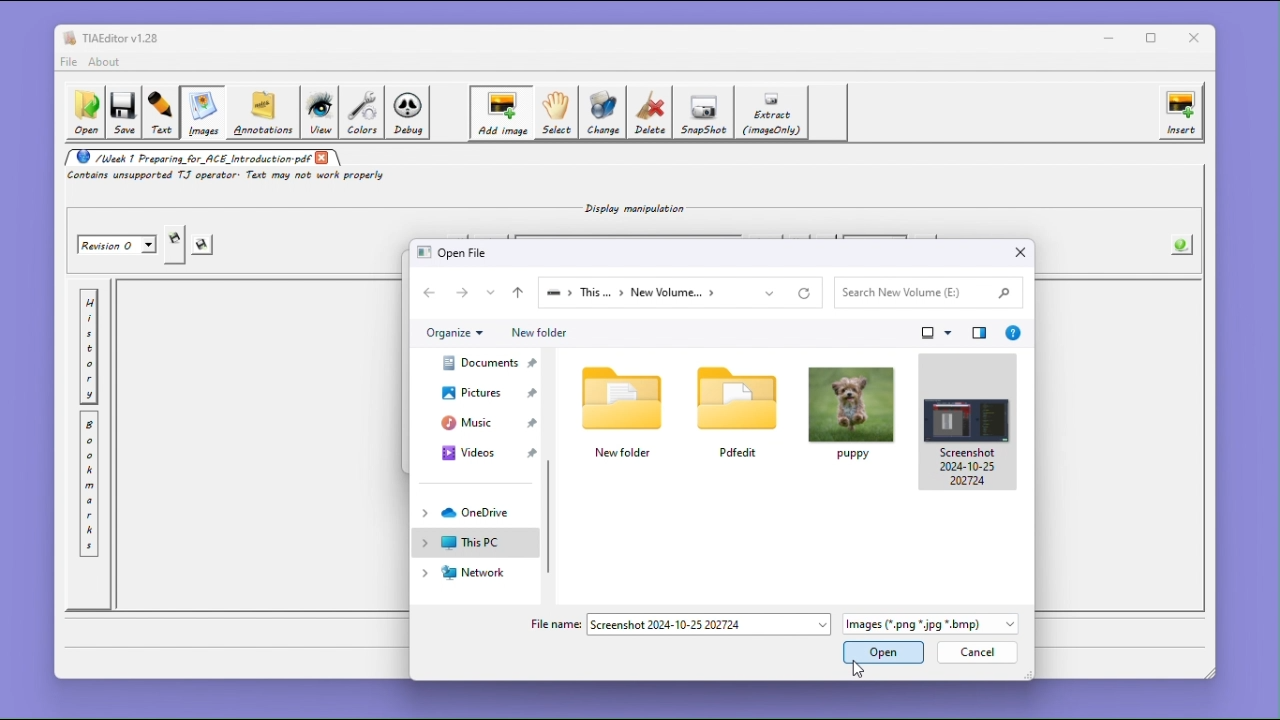 This screenshot has height=720, width=1280. I want to click on Save a copy, so click(175, 245).